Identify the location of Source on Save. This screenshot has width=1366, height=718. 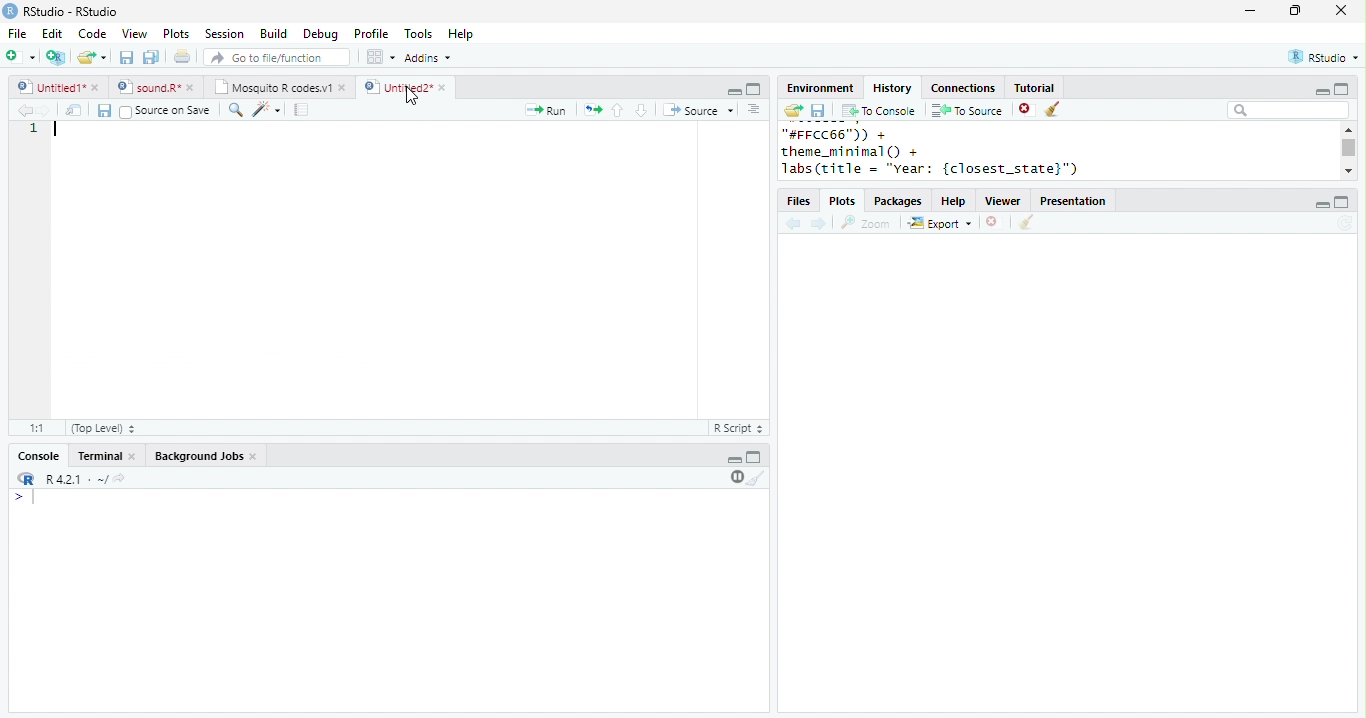
(163, 111).